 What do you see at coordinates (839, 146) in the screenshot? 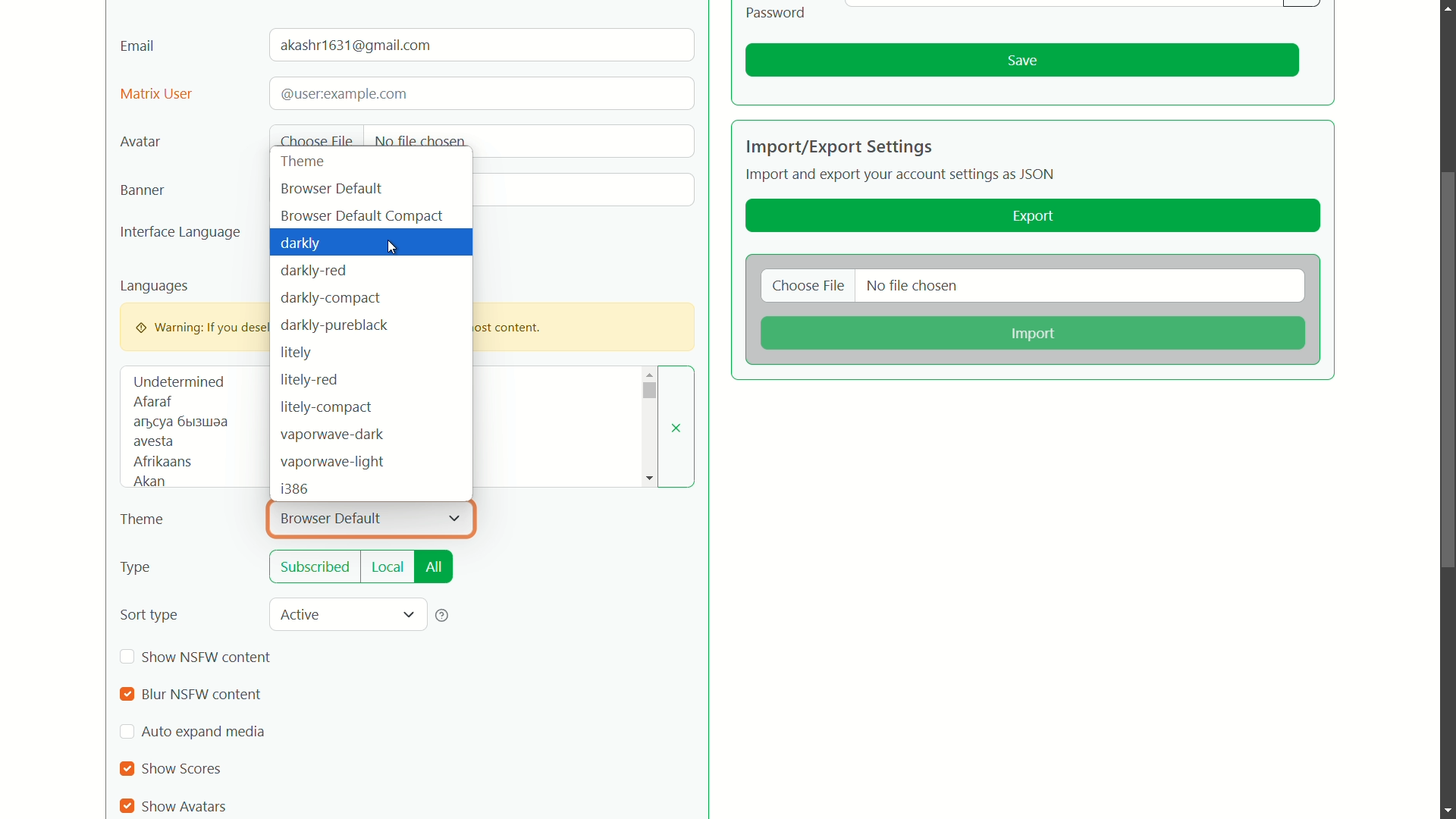
I see `import/export settings` at bounding box center [839, 146].